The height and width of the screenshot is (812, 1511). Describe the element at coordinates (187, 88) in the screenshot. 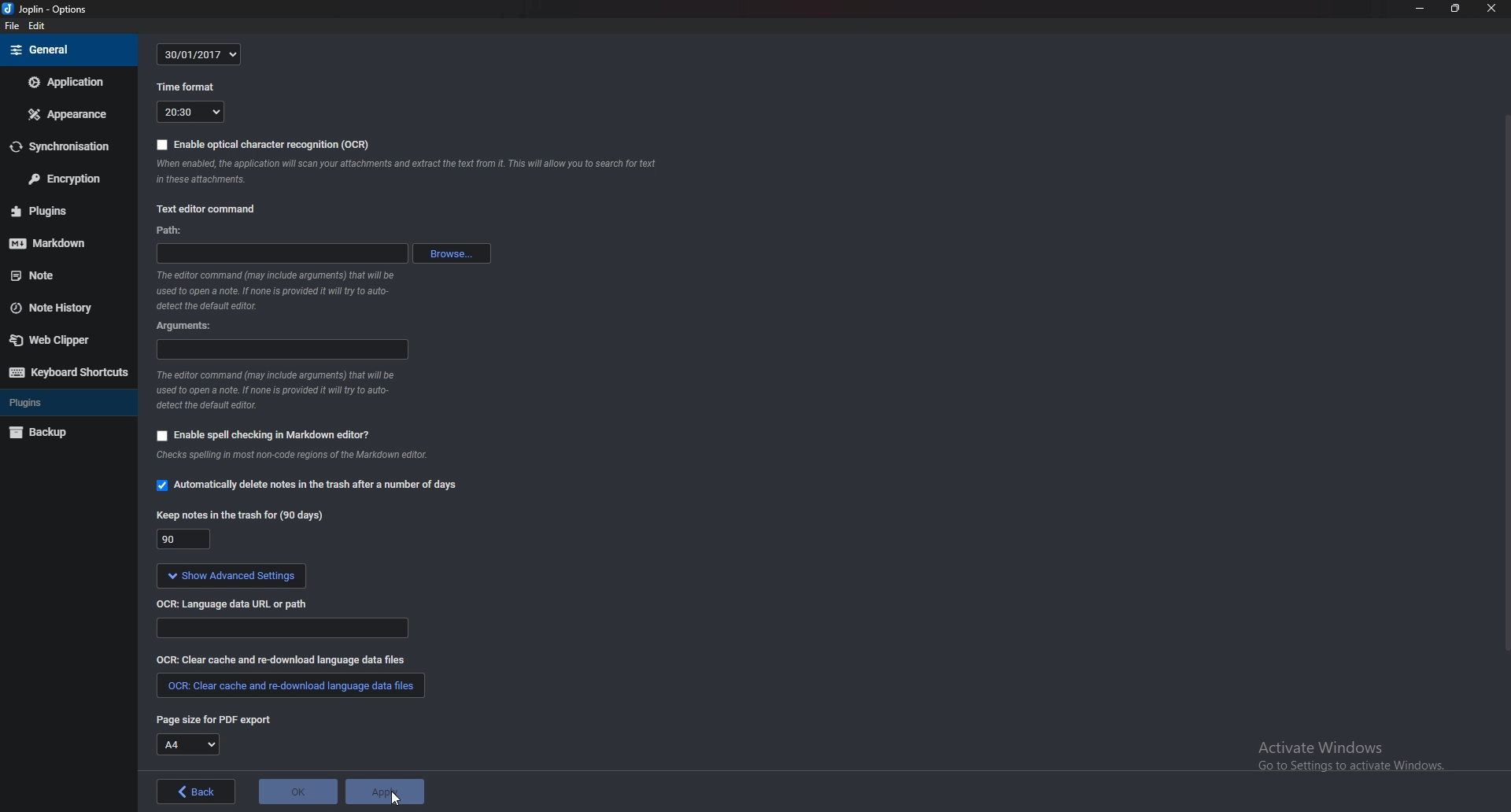

I see `time format` at that location.